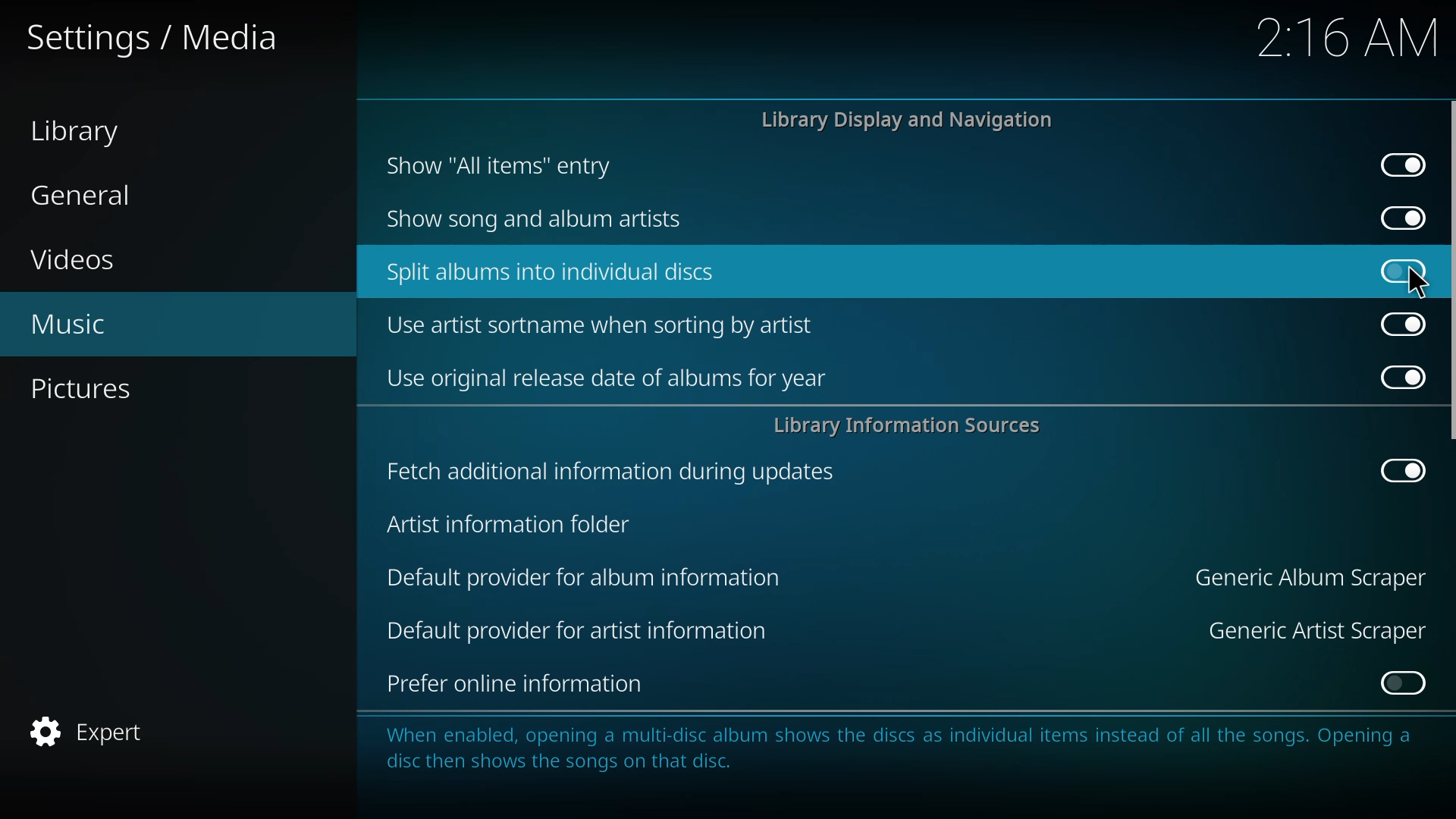  What do you see at coordinates (1398, 323) in the screenshot?
I see `enabled` at bounding box center [1398, 323].